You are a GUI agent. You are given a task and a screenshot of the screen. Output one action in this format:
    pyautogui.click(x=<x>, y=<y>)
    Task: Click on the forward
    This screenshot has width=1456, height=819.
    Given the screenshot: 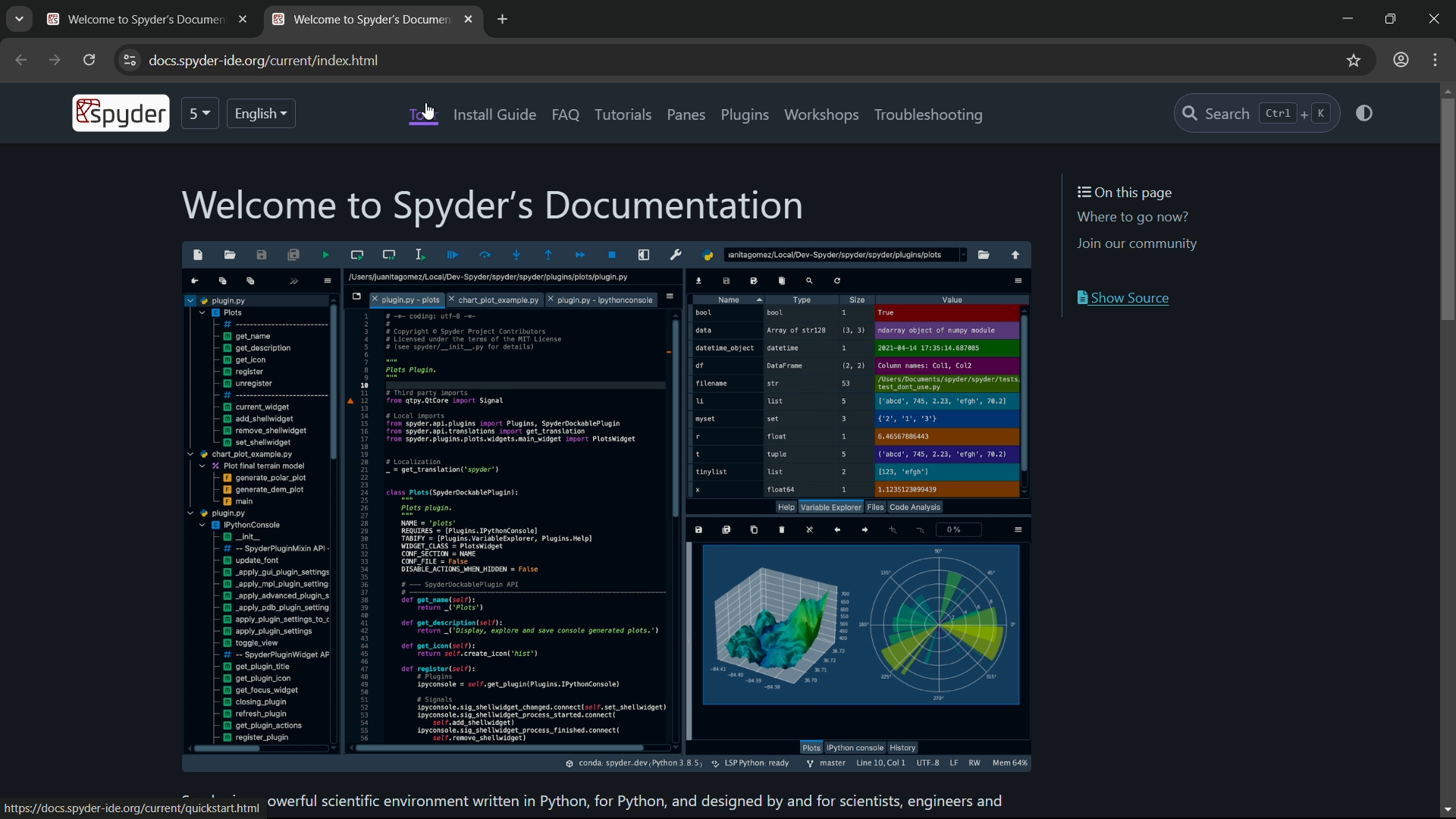 What is the action you would take?
    pyautogui.click(x=55, y=61)
    